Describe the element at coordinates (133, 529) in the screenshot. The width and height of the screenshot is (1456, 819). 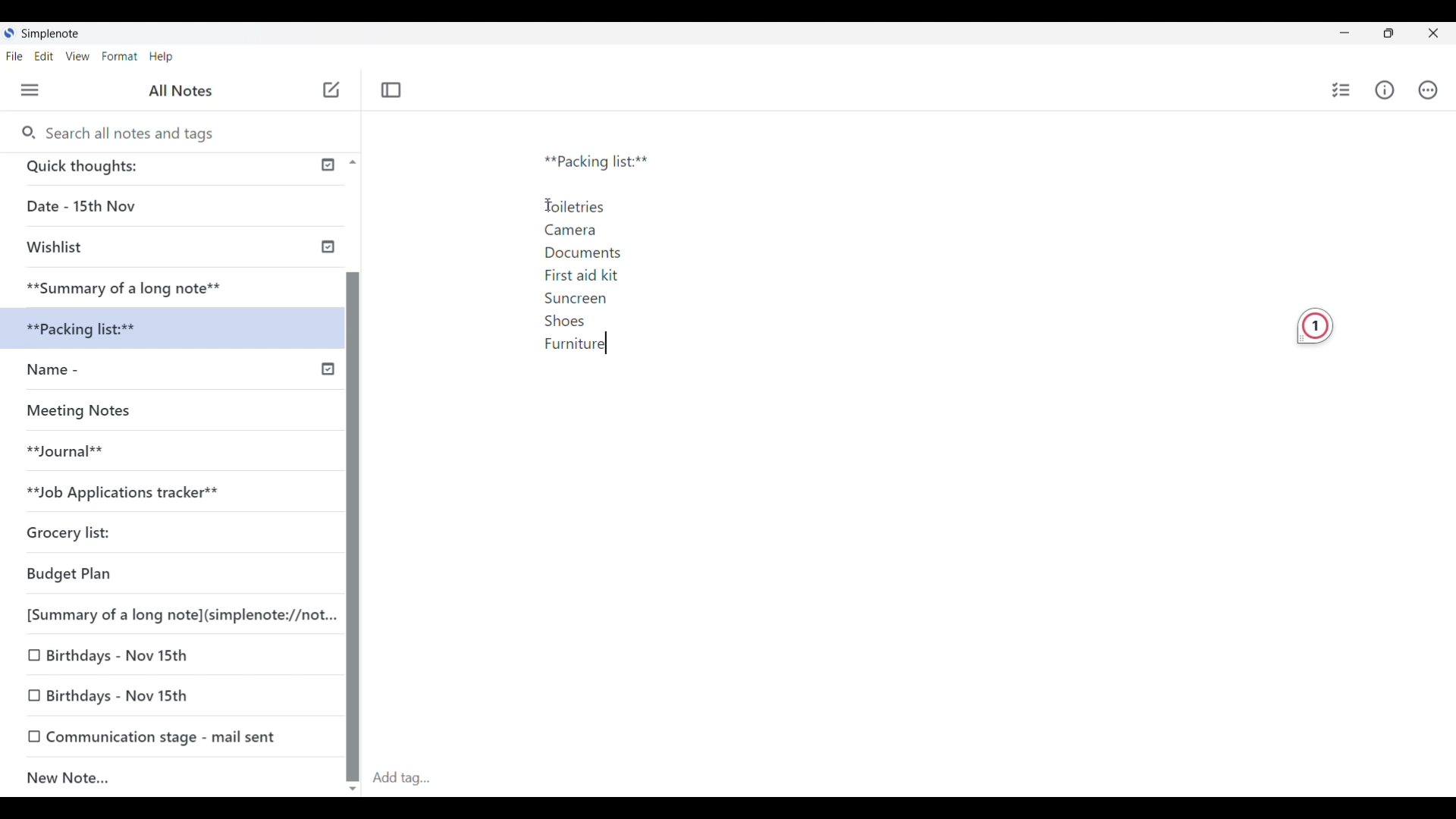
I see `Grocery list` at that location.